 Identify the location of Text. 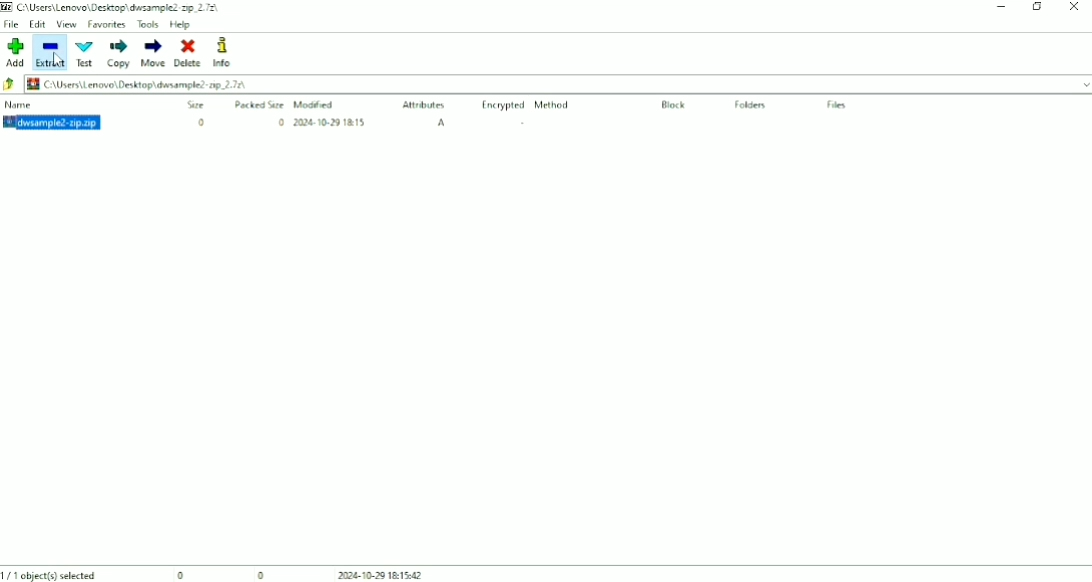
(85, 54).